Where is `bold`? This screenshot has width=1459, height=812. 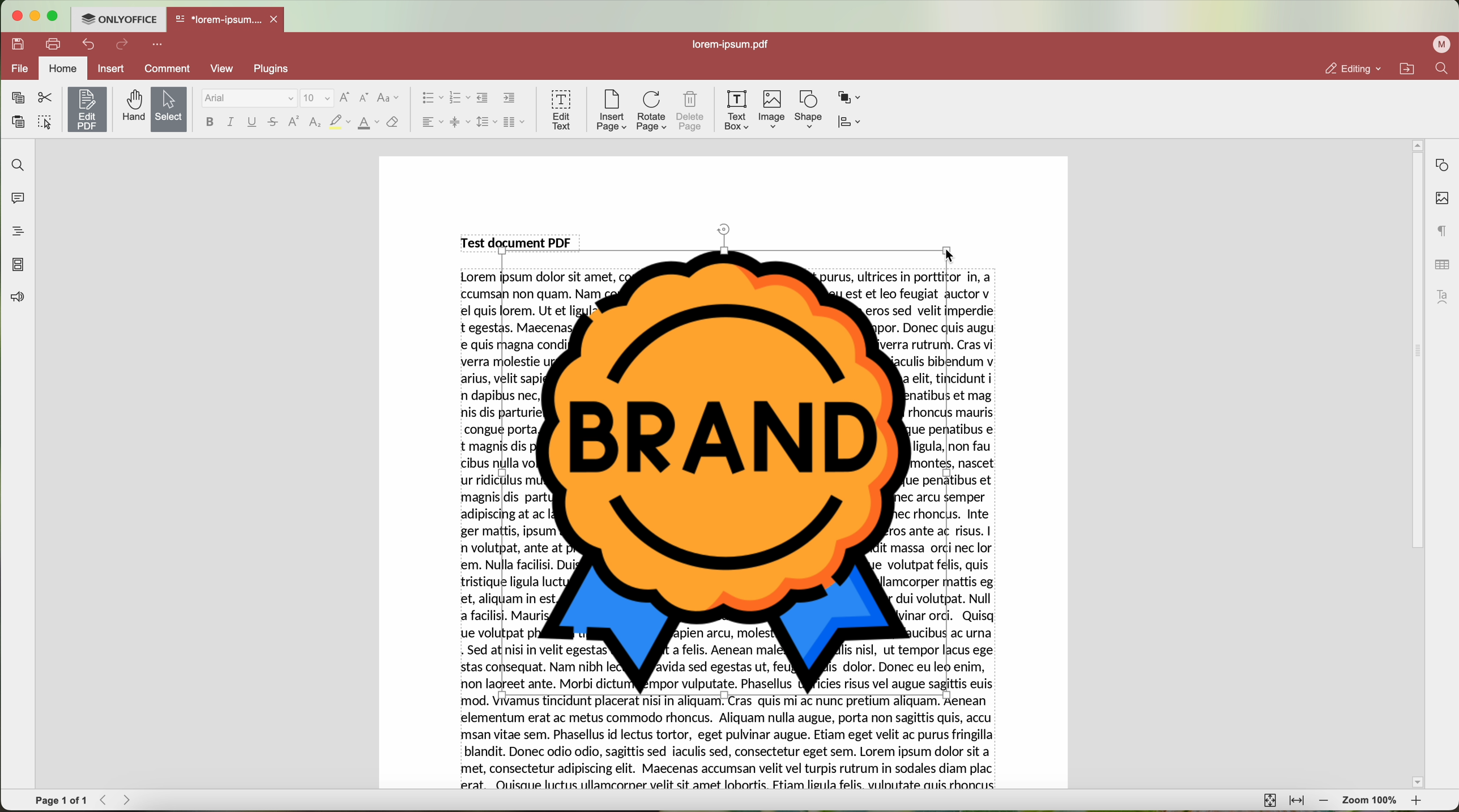 bold is located at coordinates (210, 122).